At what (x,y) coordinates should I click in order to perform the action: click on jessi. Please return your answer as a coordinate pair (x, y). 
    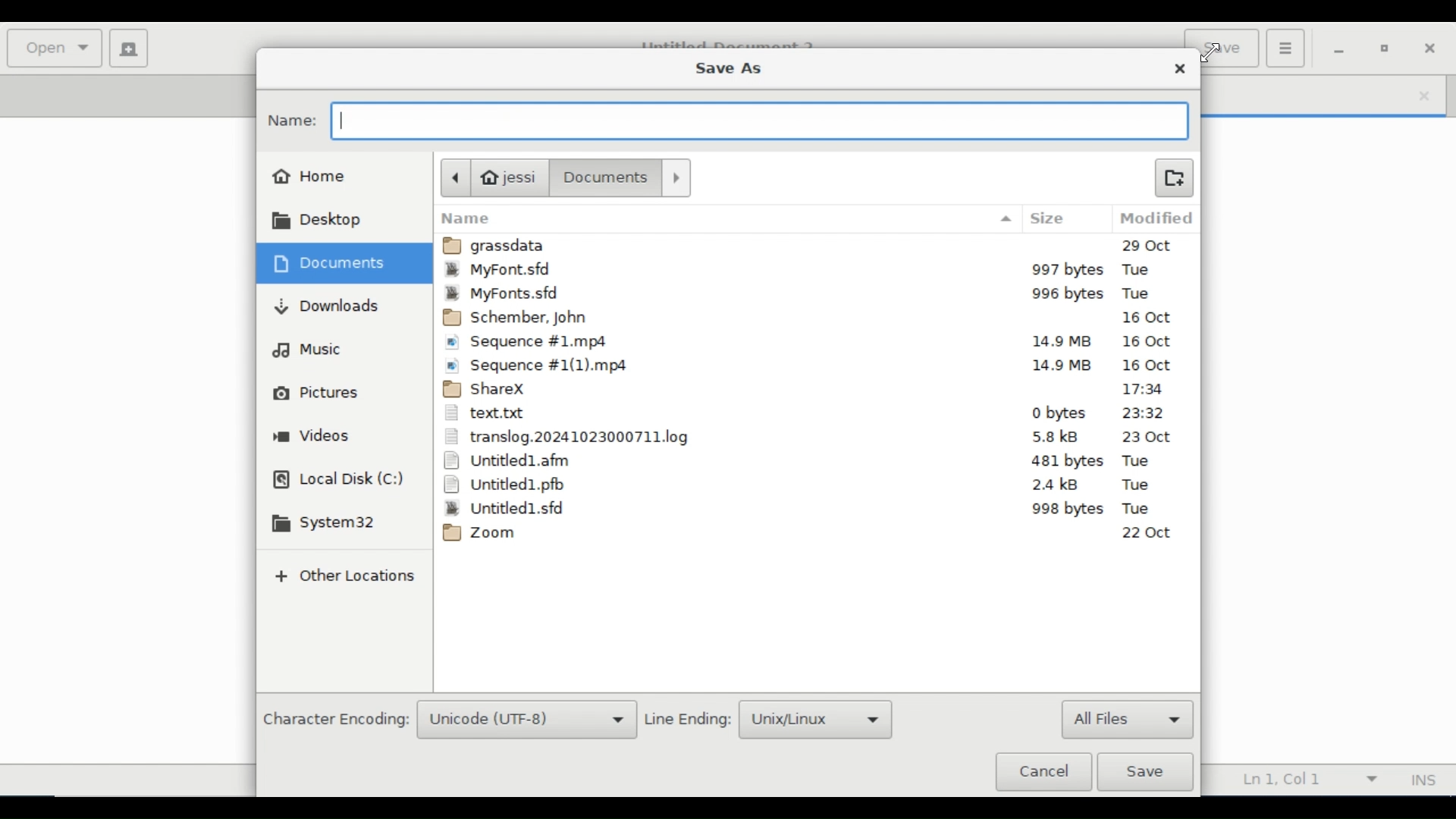
    Looking at the image, I should click on (512, 177).